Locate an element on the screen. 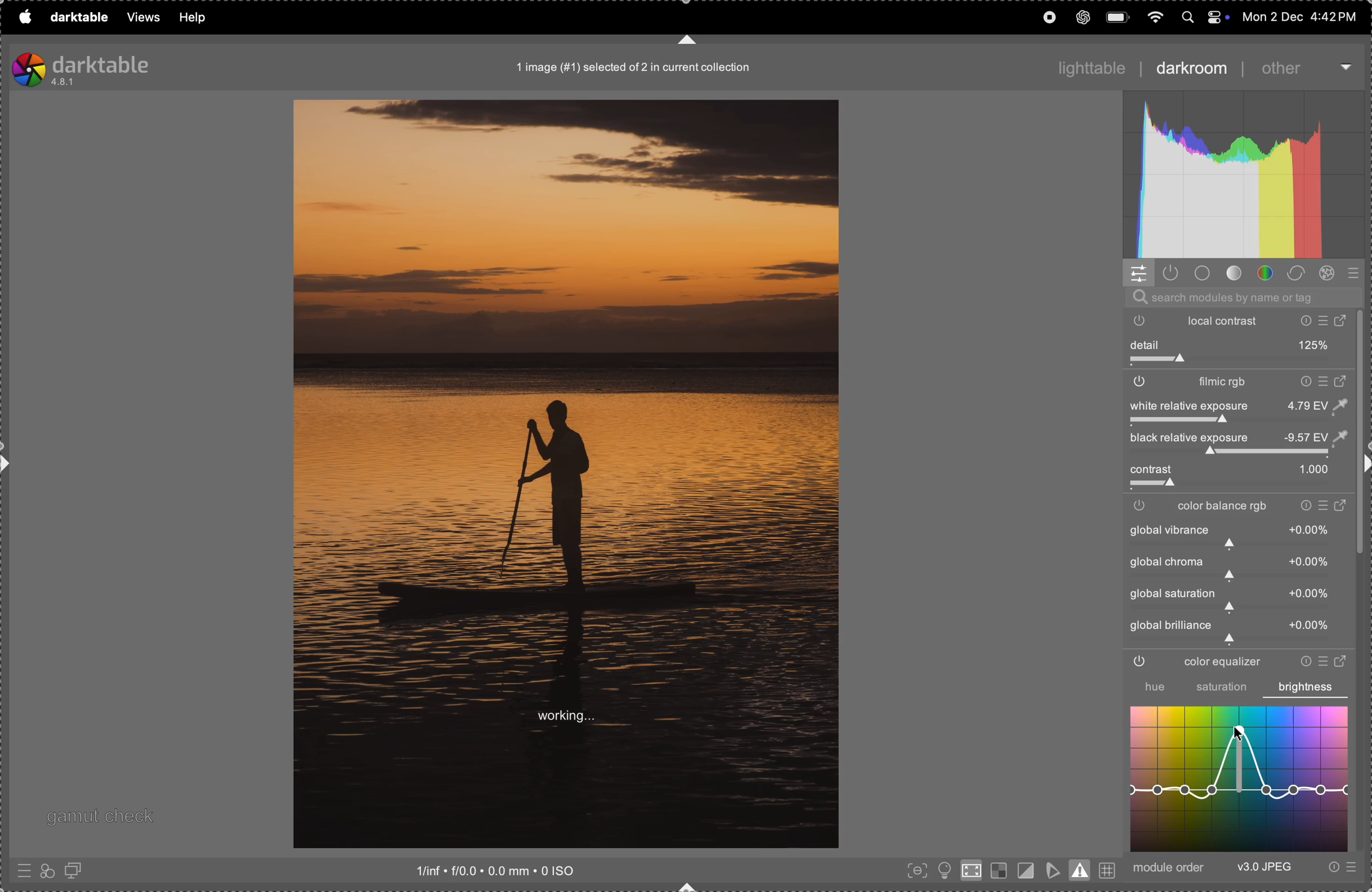 Image resolution: width=1372 pixels, height=892 pixels. toggle bar is located at coordinates (1238, 486).